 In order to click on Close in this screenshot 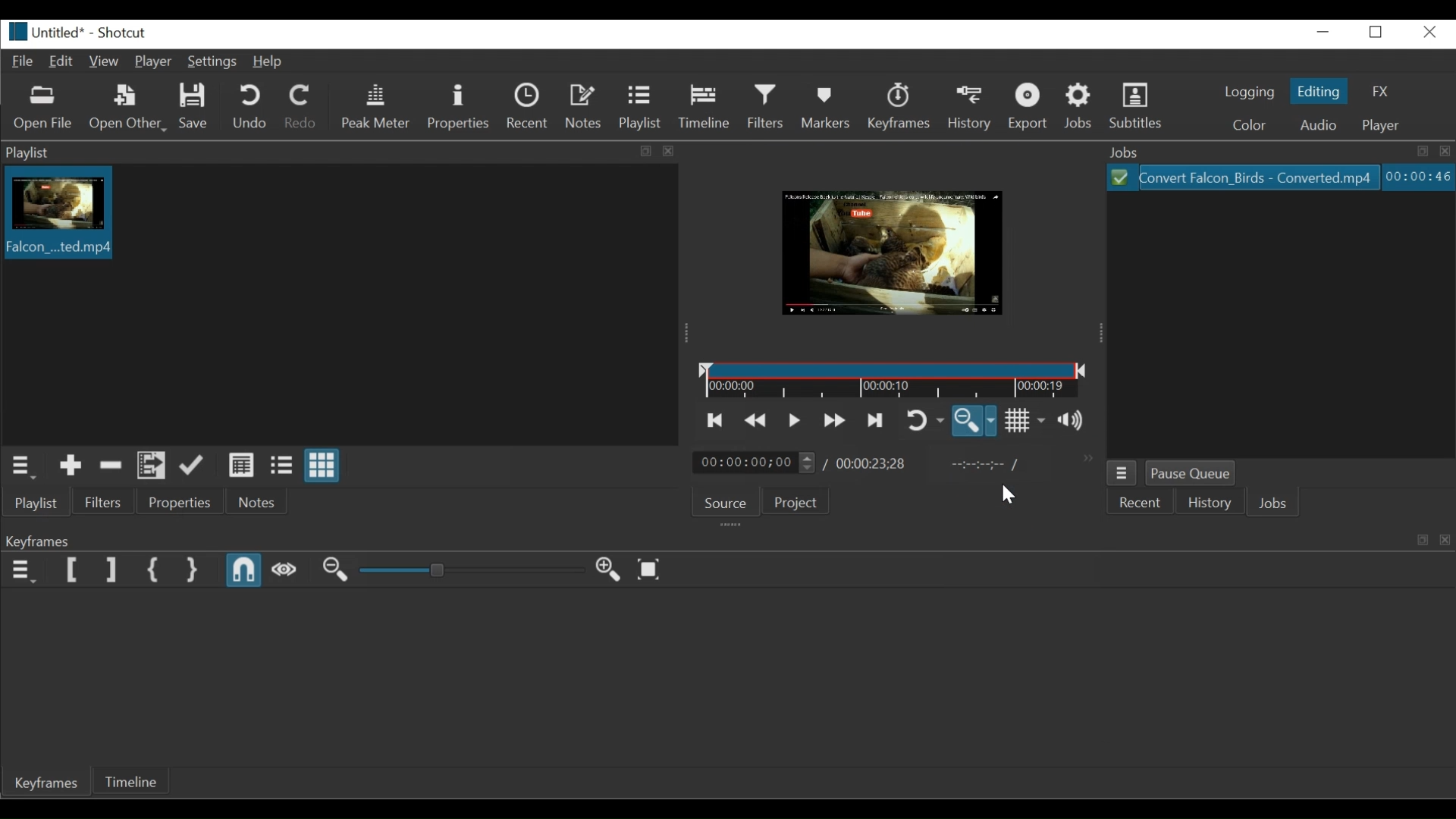, I will do `click(1429, 32)`.